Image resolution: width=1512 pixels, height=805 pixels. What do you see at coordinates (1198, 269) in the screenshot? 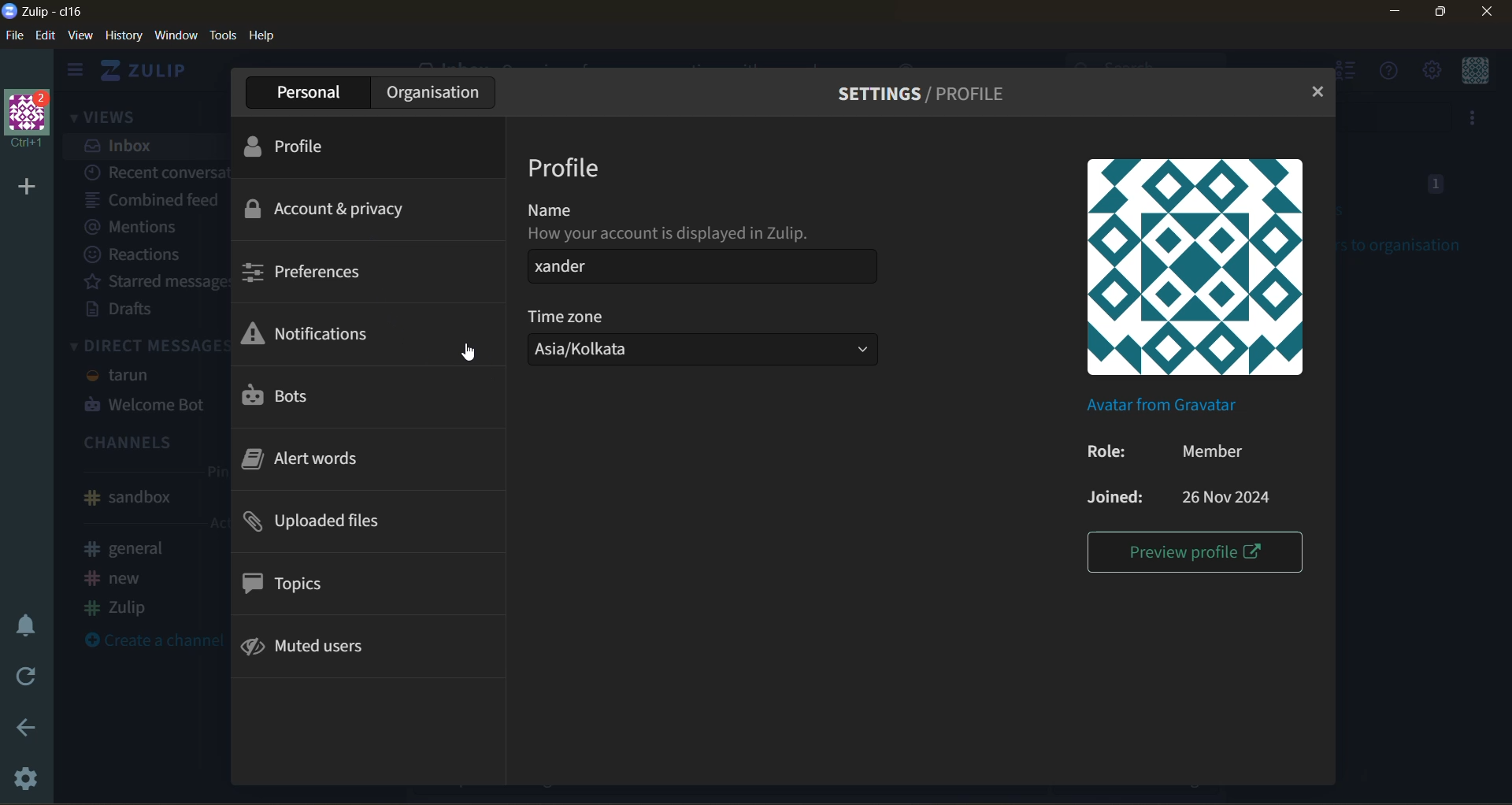
I see `profile picture` at bounding box center [1198, 269].